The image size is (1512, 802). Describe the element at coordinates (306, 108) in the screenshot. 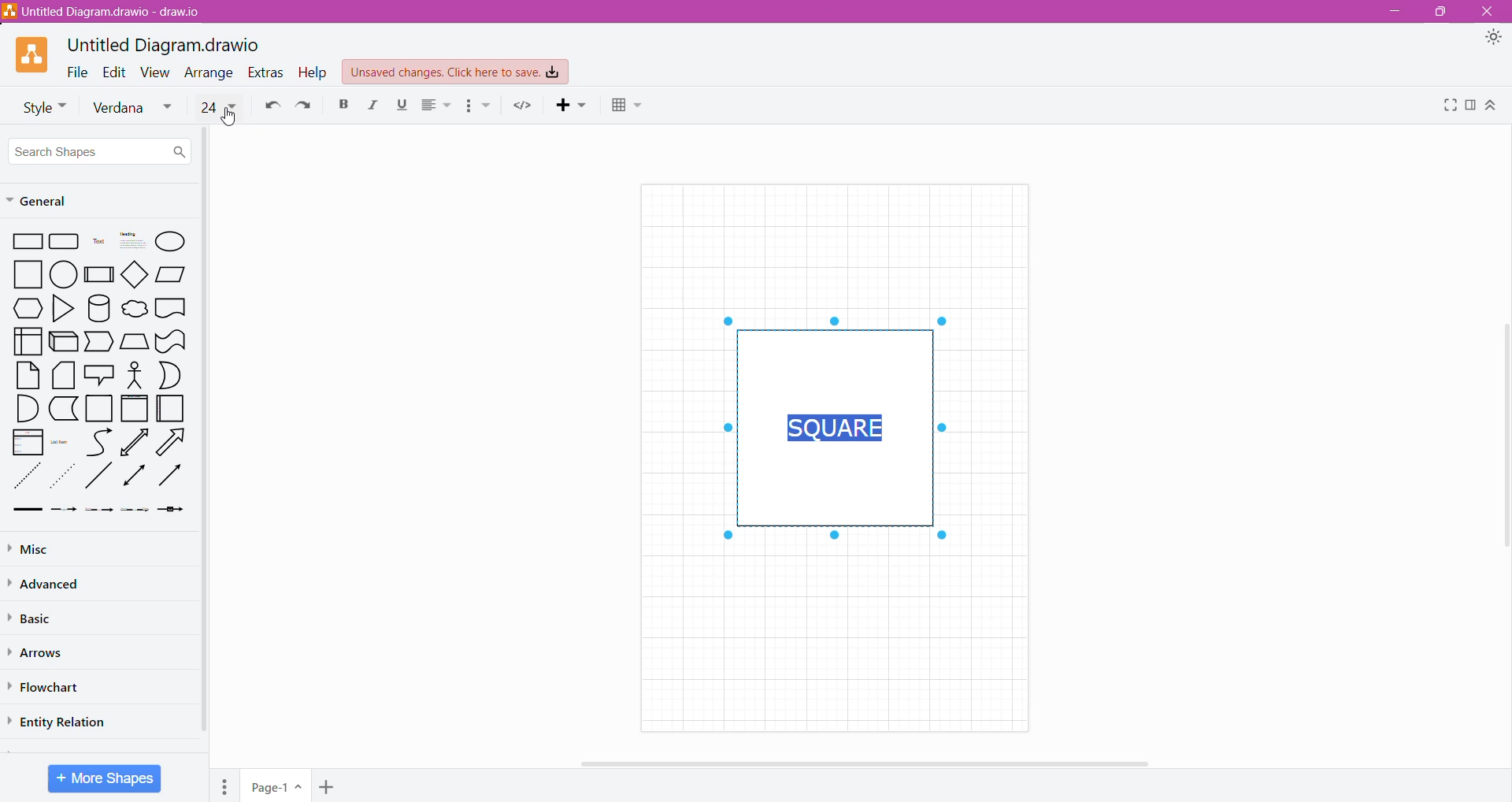

I see `Redo` at that location.